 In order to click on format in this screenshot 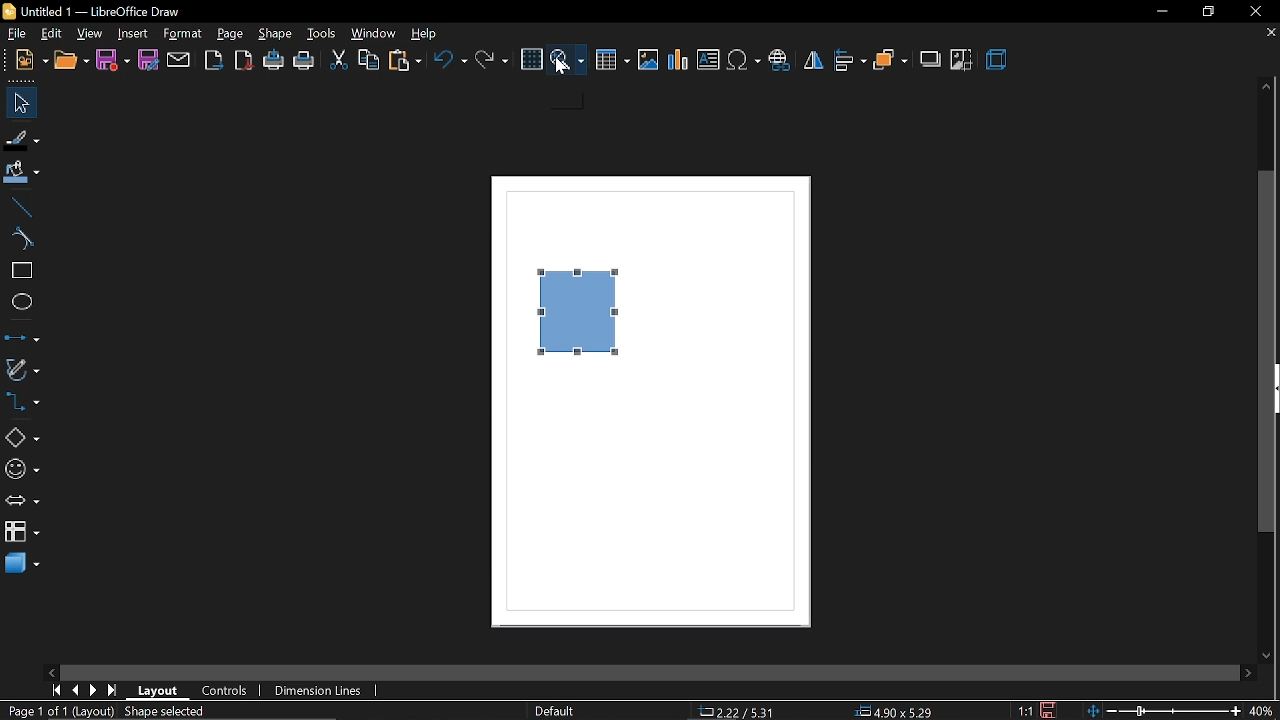, I will do `click(182, 34)`.